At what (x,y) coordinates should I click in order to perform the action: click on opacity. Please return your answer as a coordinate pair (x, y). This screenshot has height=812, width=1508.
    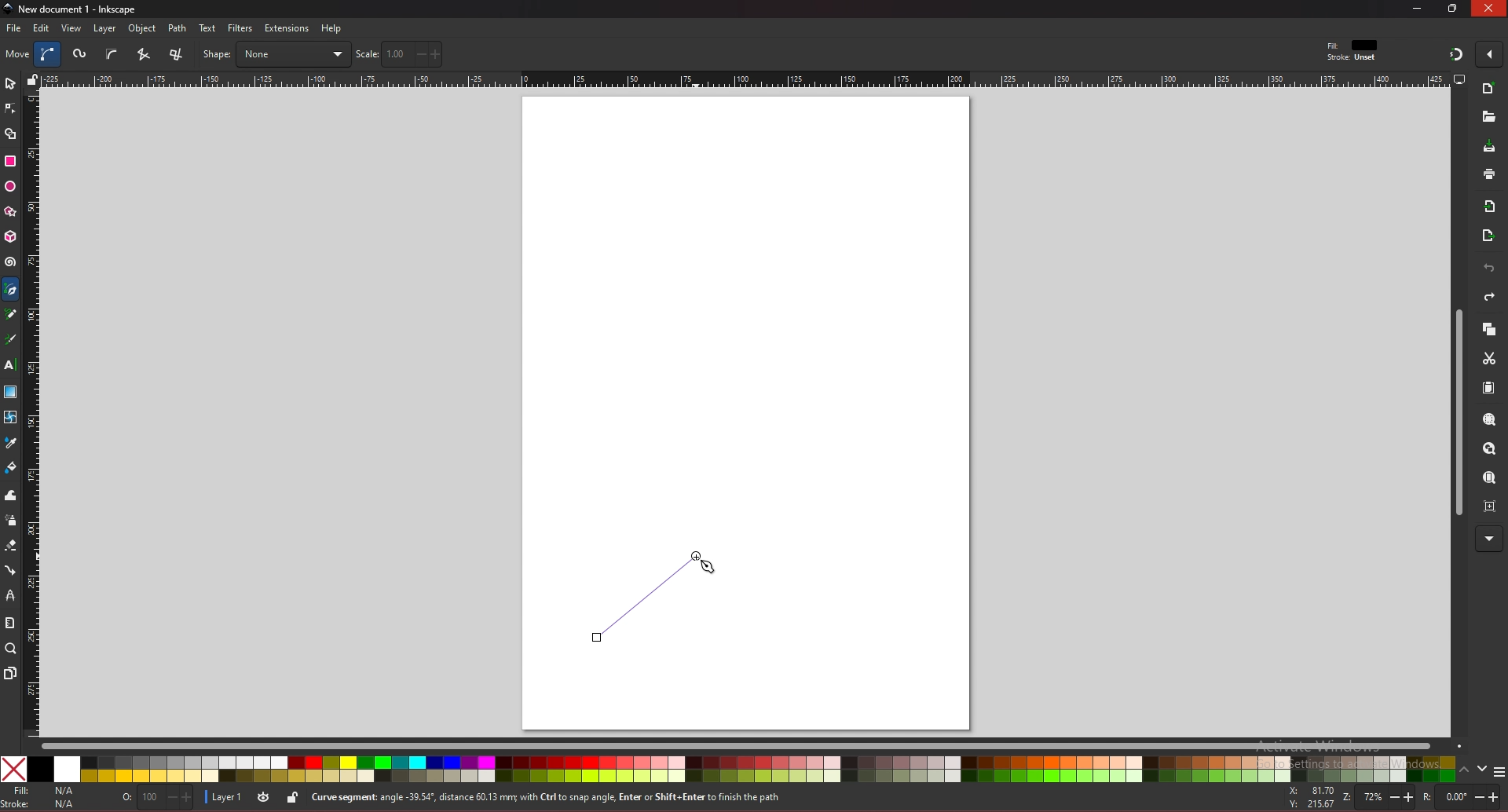
    Looking at the image, I should click on (155, 799).